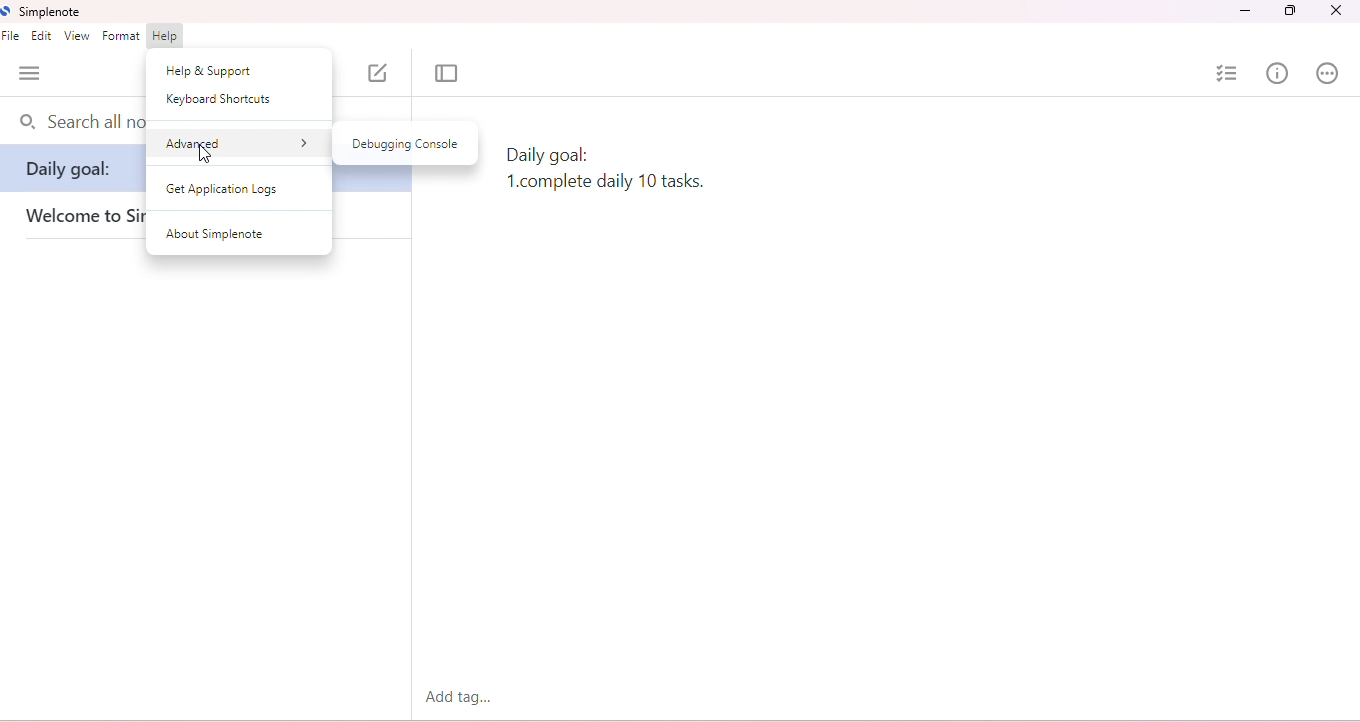 The image size is (1360, 722). I want to click on edit, so click(44, 37).